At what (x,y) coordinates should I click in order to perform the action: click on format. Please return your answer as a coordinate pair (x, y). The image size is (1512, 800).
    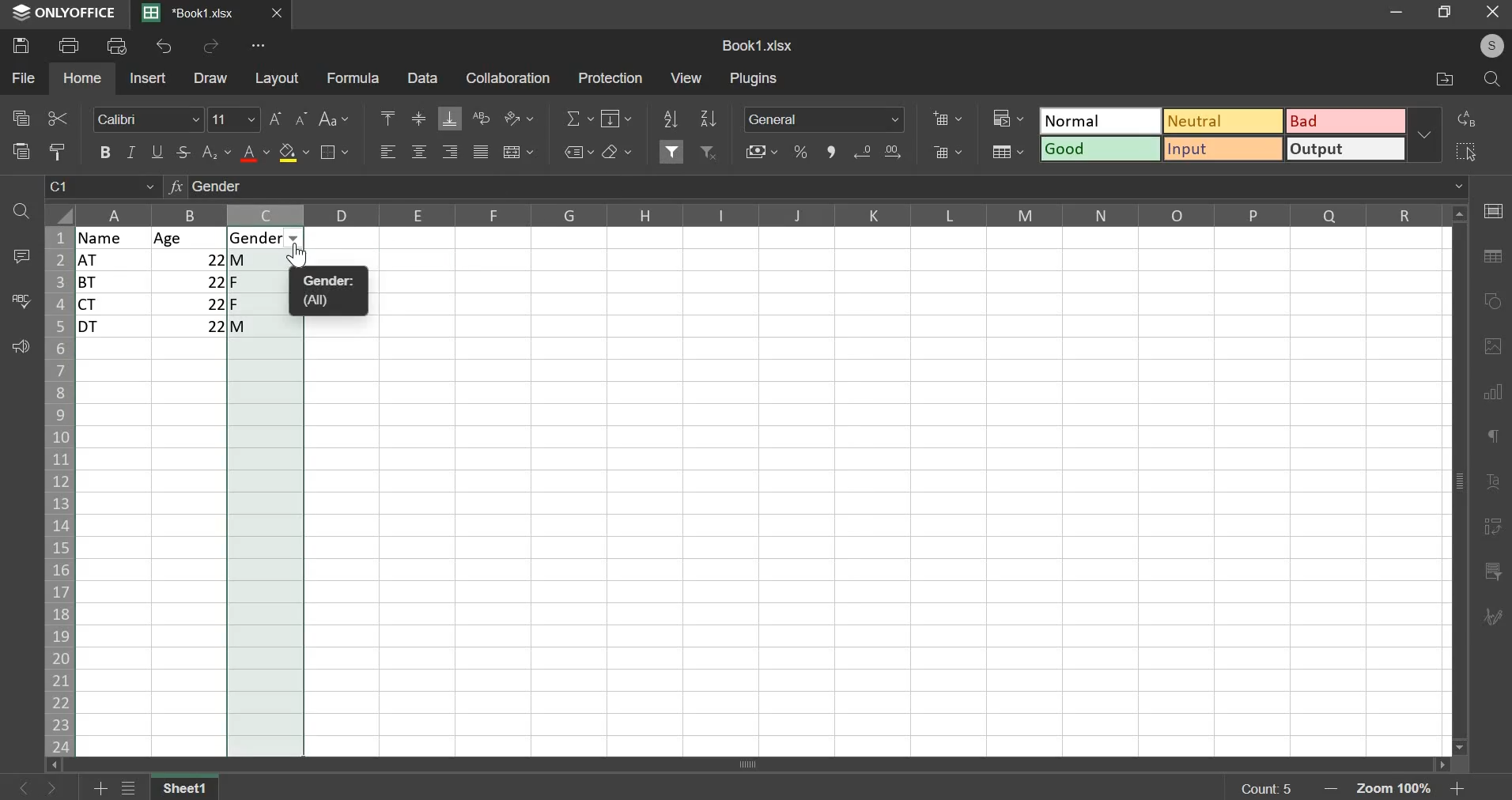
    Looking at the image, I should click on (1222, 133).